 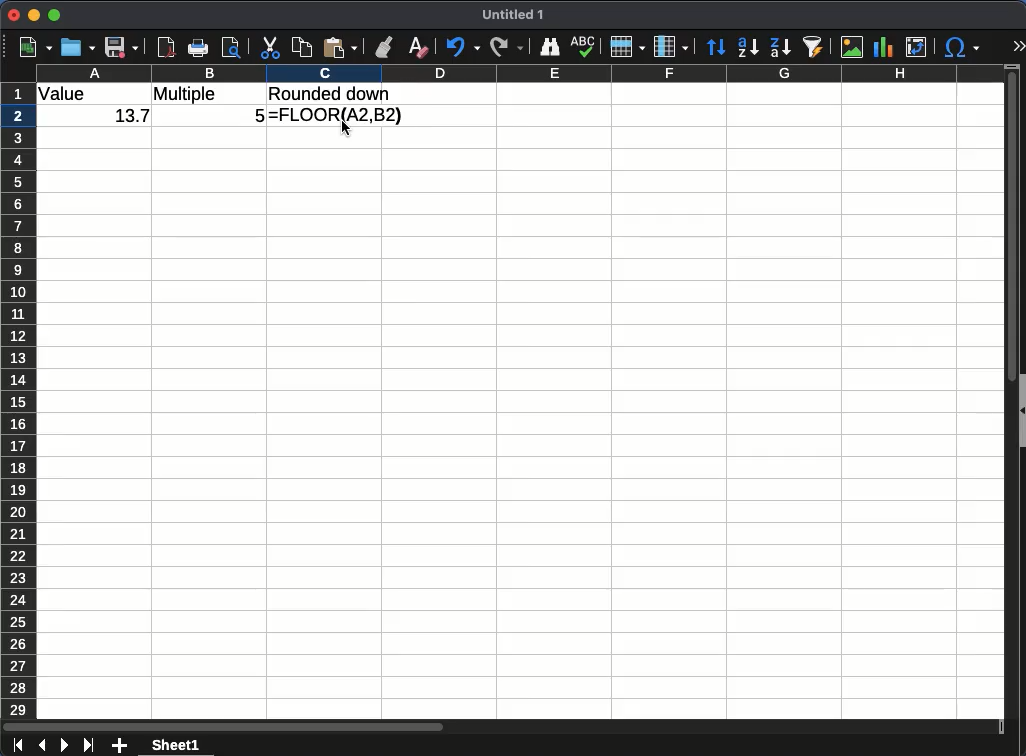 What do you see at coordinates (507, 47) in the screenshot?
I see `redo` at bounding box center [507, 47].